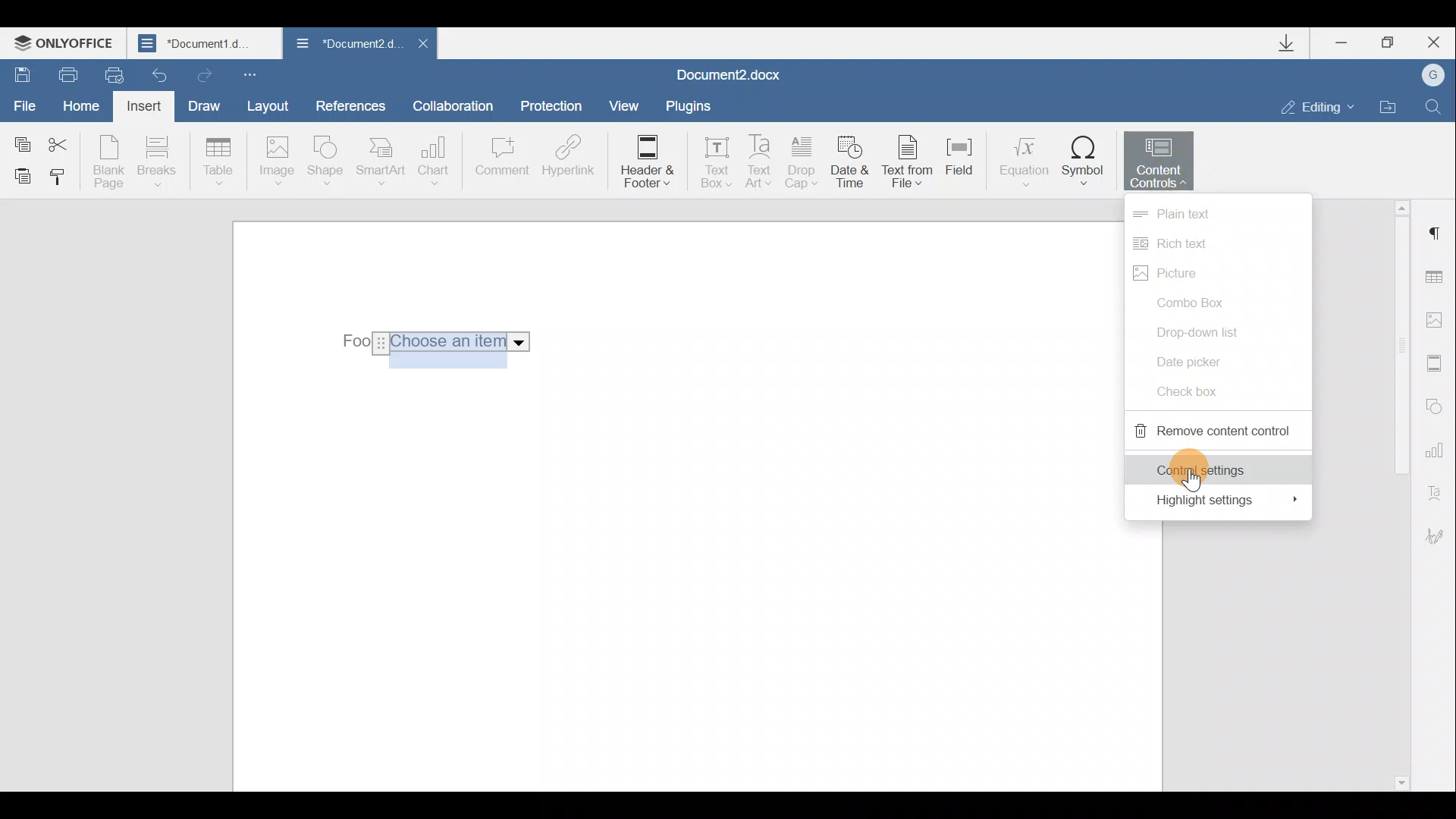  I want to click on Checkbox, so click(1192, 388).